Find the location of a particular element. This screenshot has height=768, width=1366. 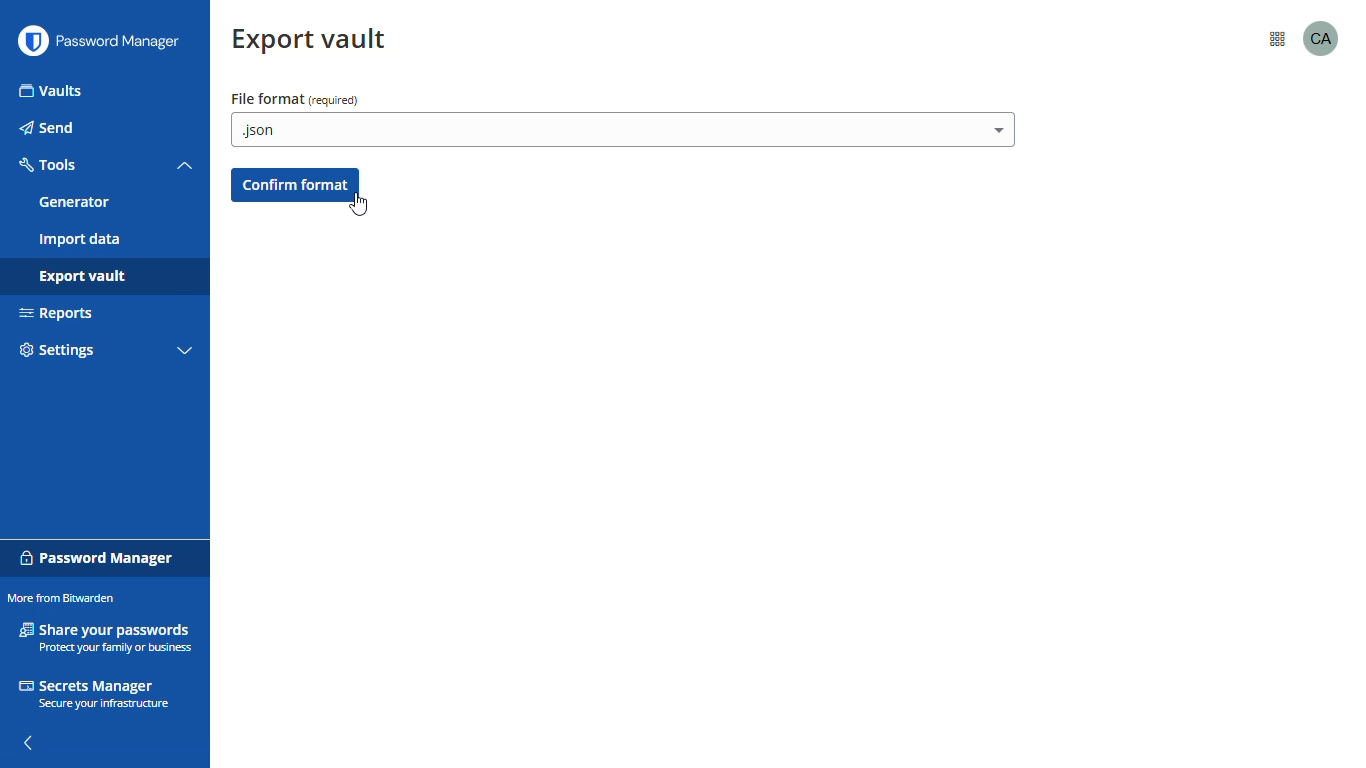

password manager is located at coordinates (98, 555).